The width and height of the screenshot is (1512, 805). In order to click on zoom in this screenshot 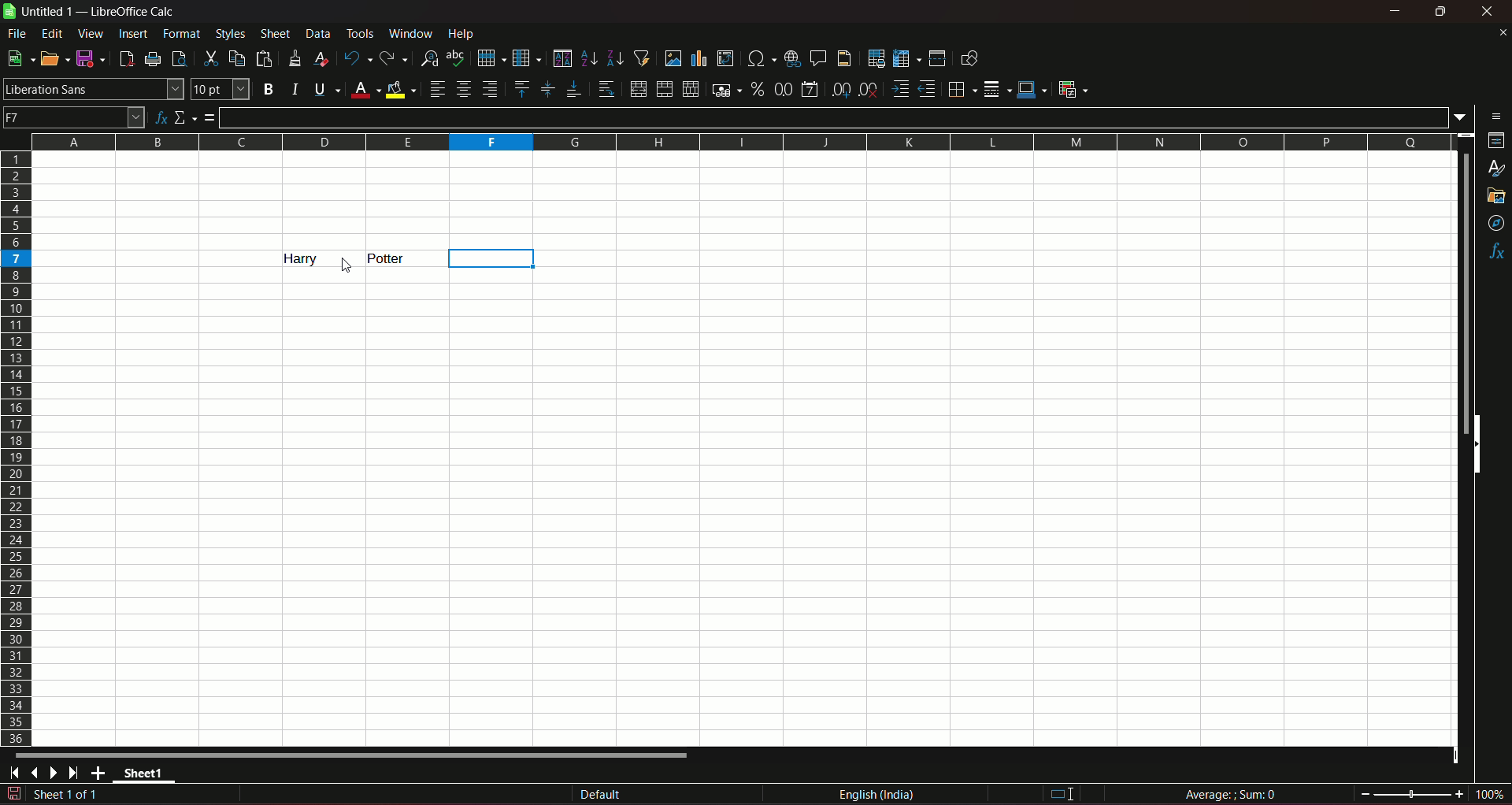, I will do `click(1432, 792)`.